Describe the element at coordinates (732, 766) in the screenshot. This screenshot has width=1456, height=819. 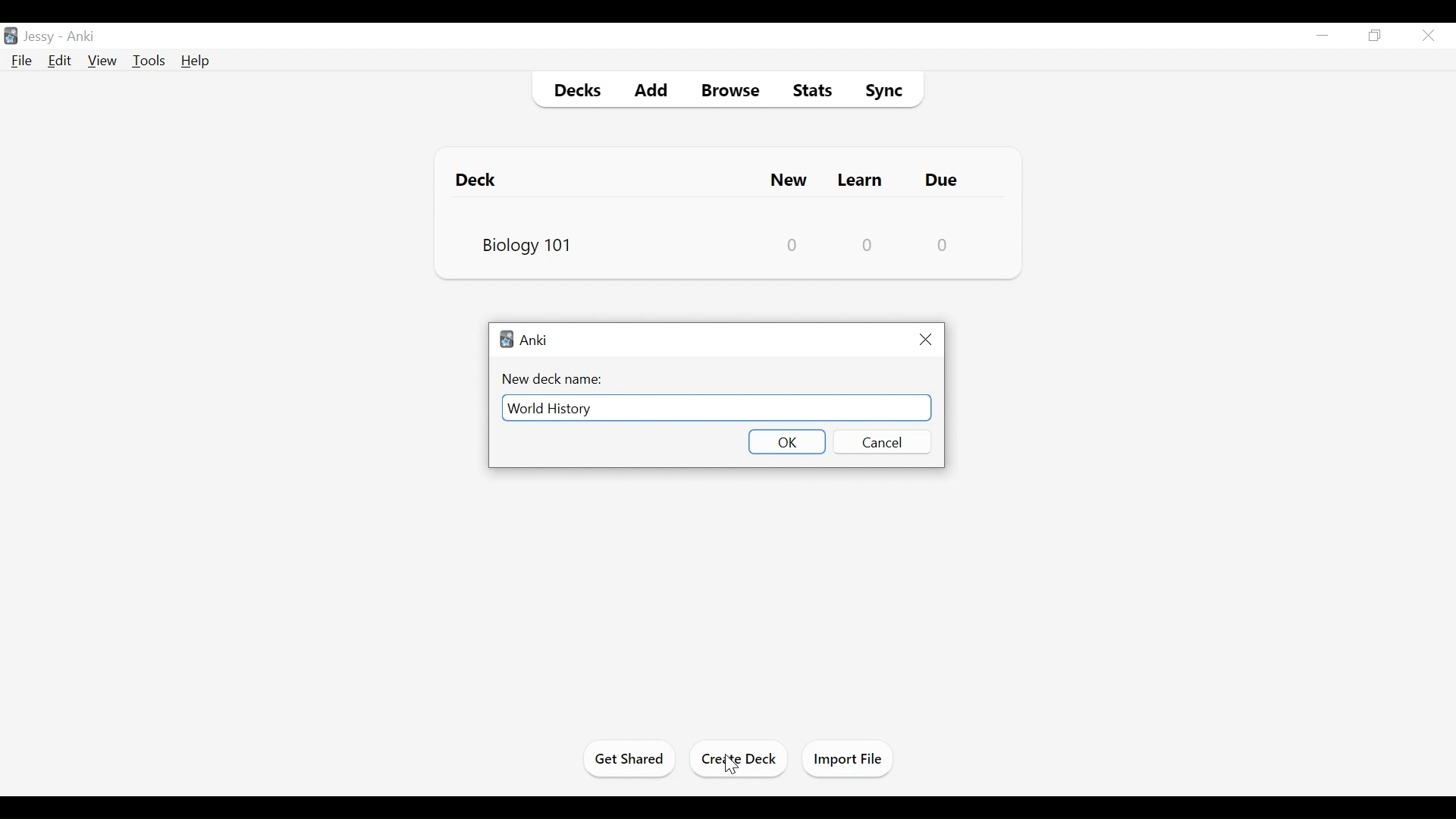
I see `Cursor` at that location.